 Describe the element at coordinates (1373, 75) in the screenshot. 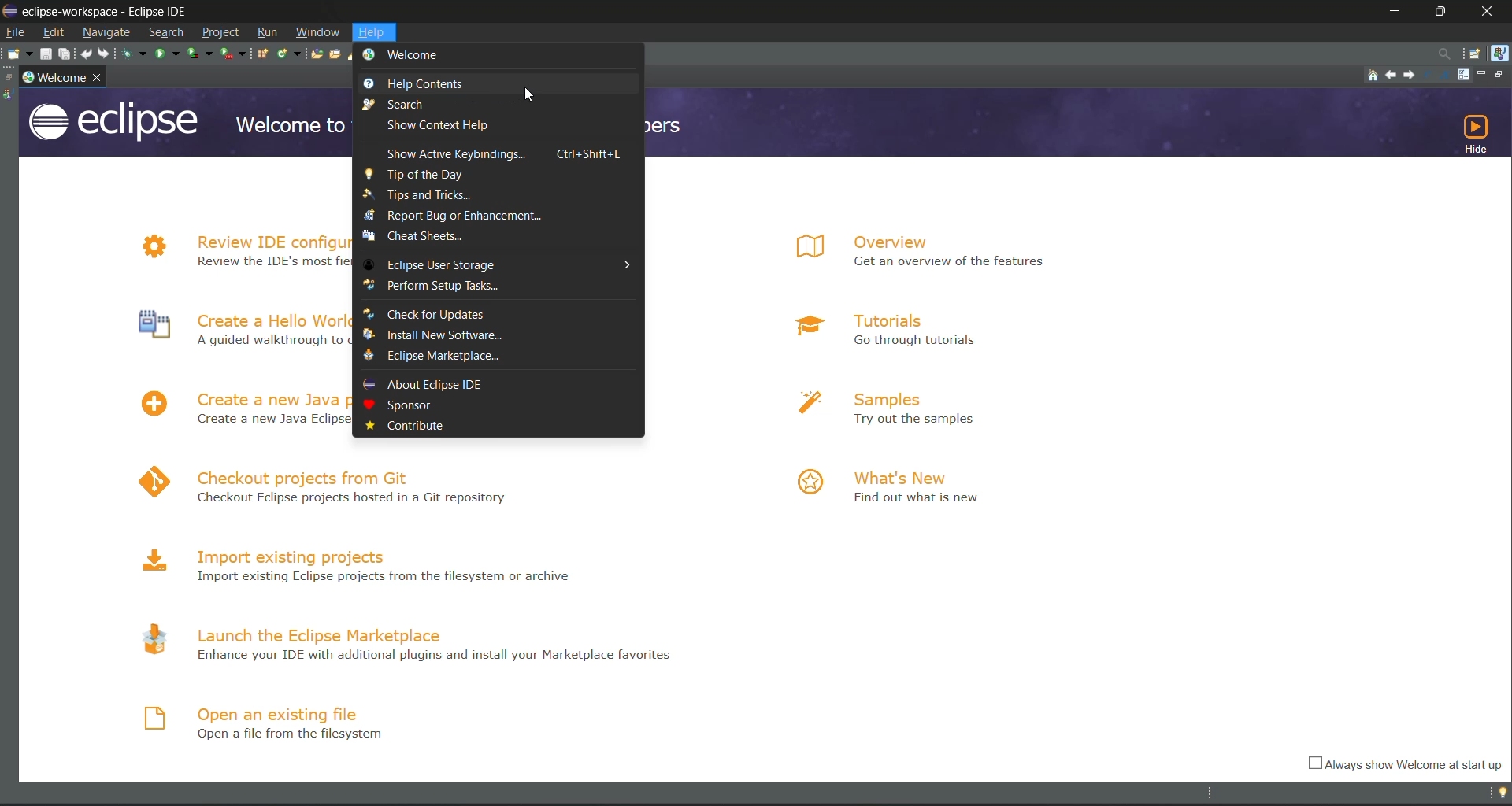

I see `home` at that location.